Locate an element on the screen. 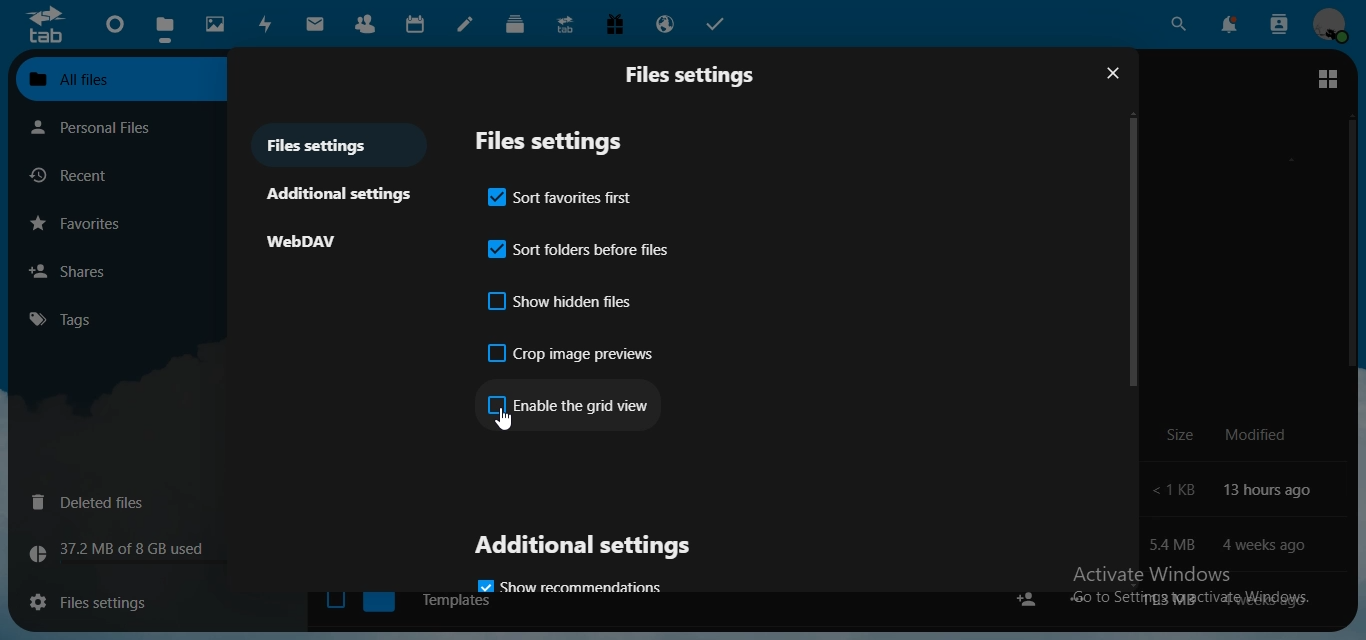  show recommendations is located at coordinates (575, 585).